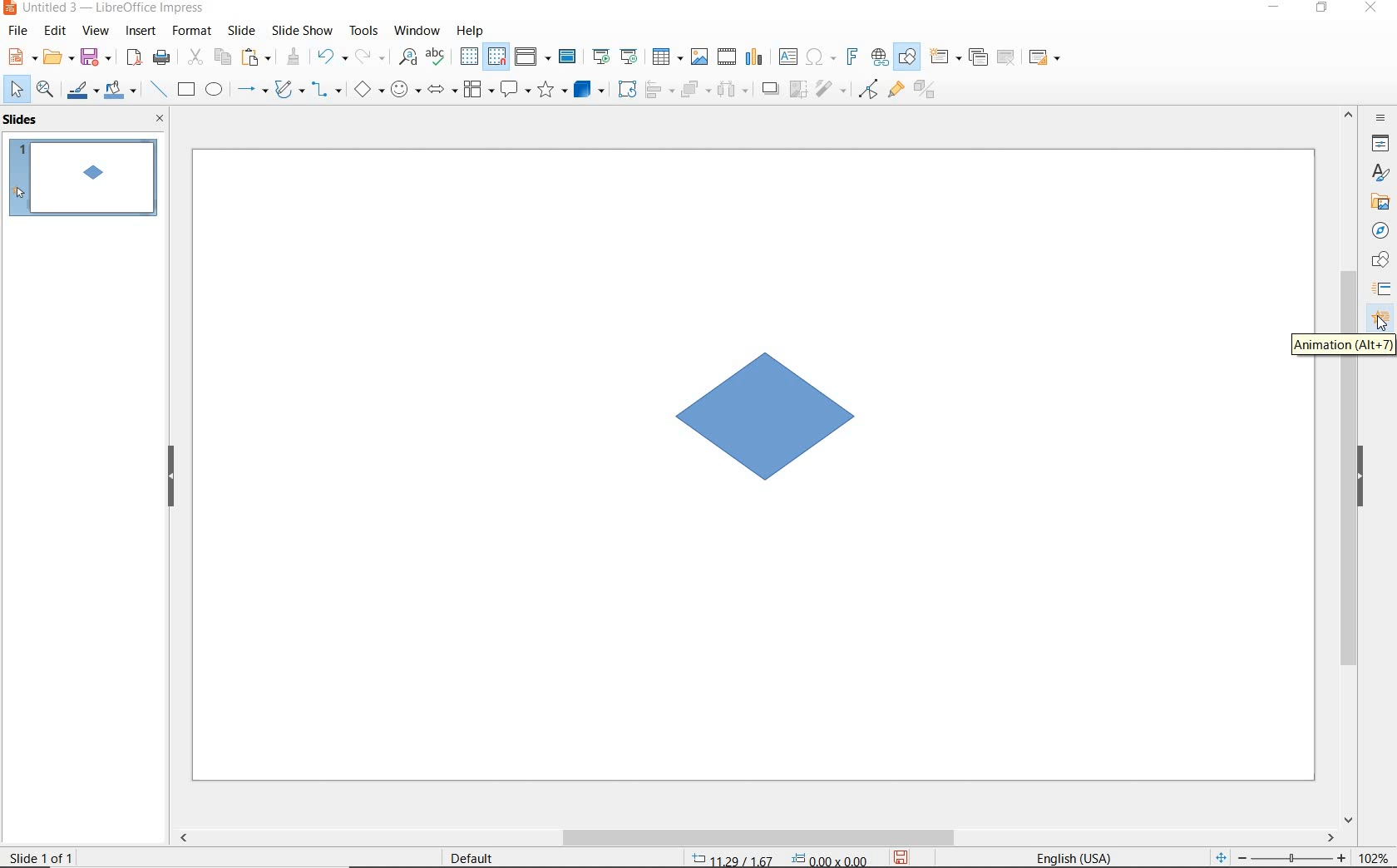 The image size is (1397, 868). What do you see at coordinates (489, 856) in the screenshot?
I see `default` at bounding box center [489, 856].